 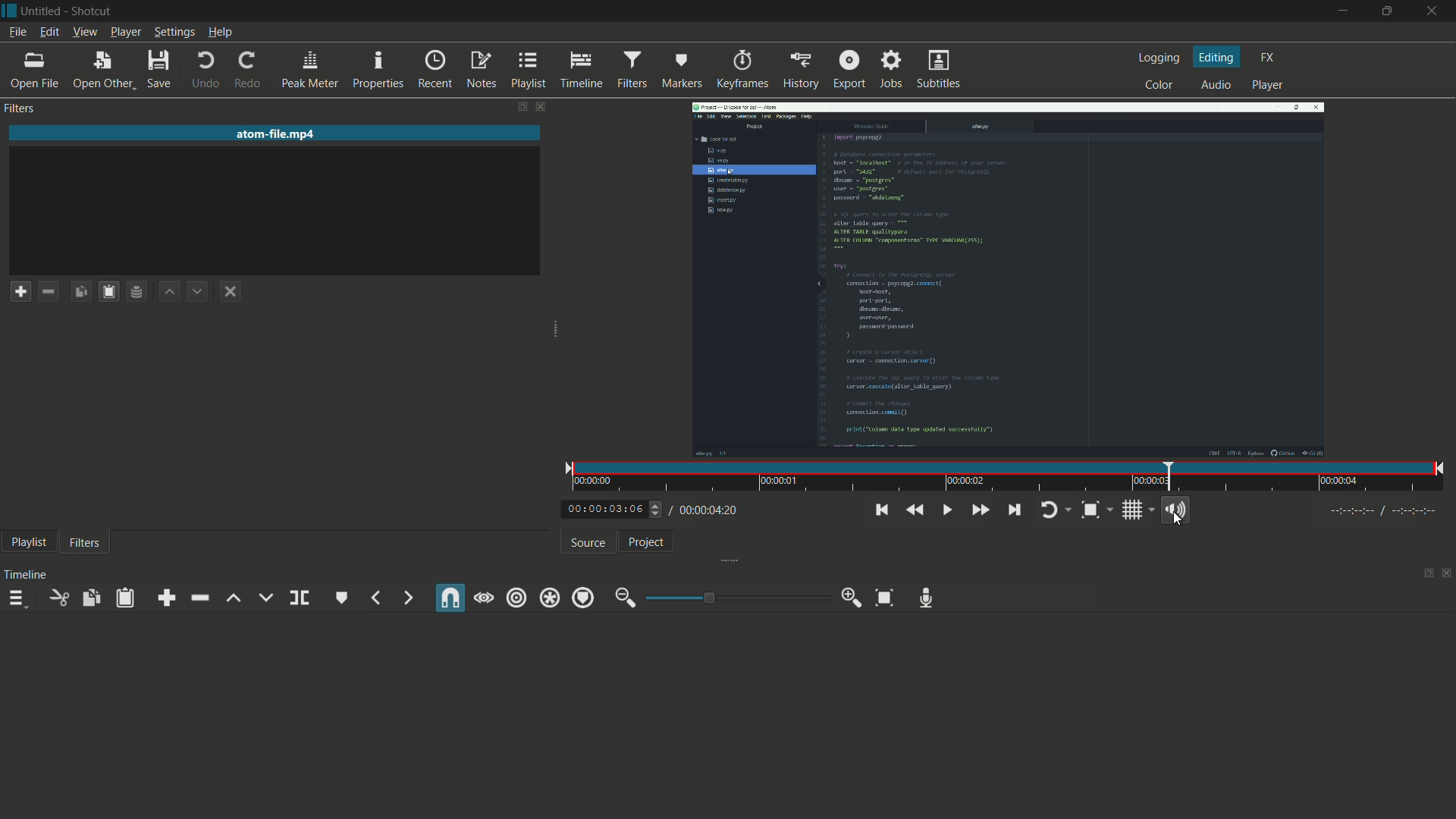 What do you see at coordinates (681, 71) in the screenshot?
I see `markers` at bounding box center [681, 71].